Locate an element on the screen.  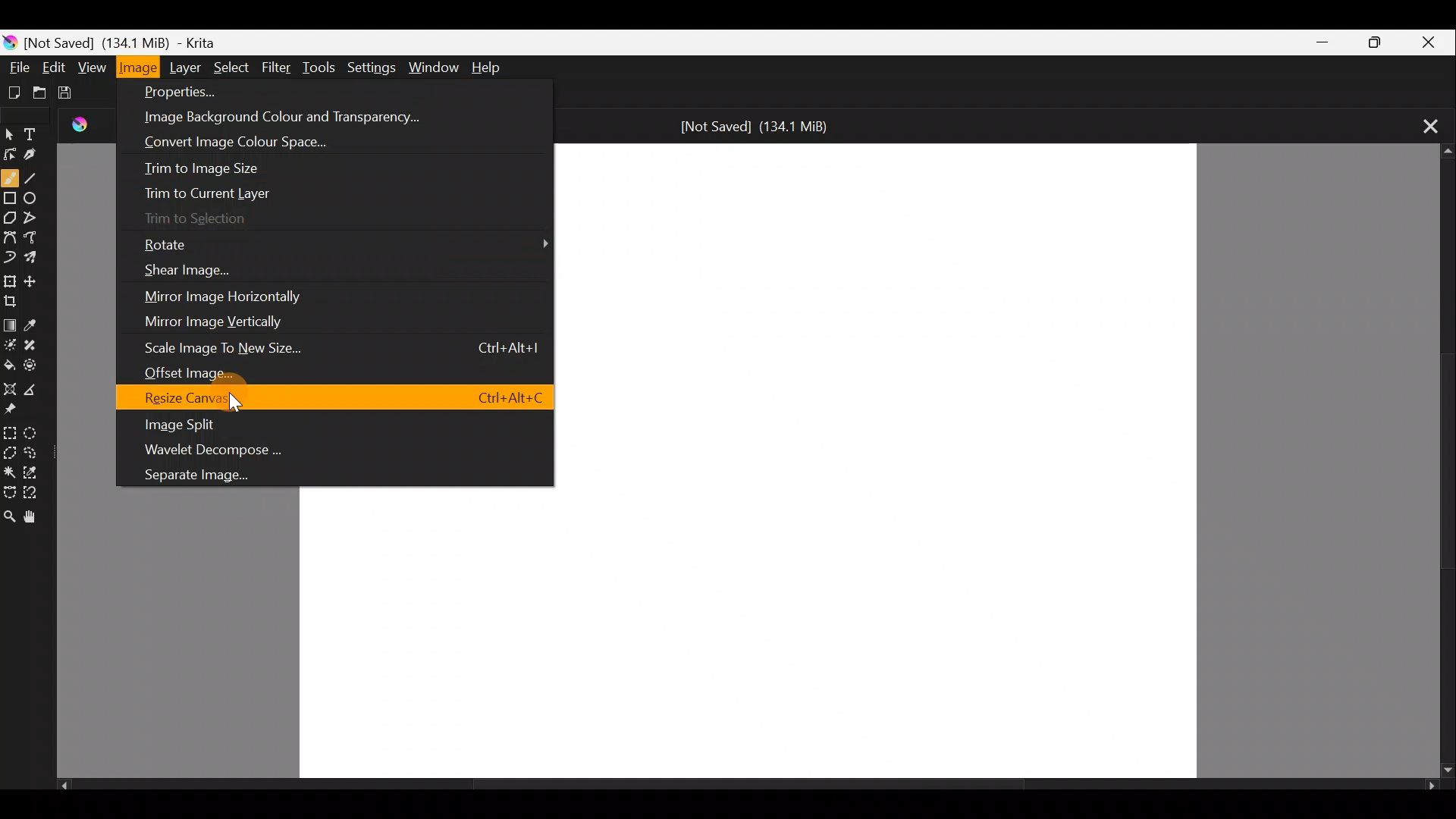
Elliptical selection tool is located at coordinates (36, 435).